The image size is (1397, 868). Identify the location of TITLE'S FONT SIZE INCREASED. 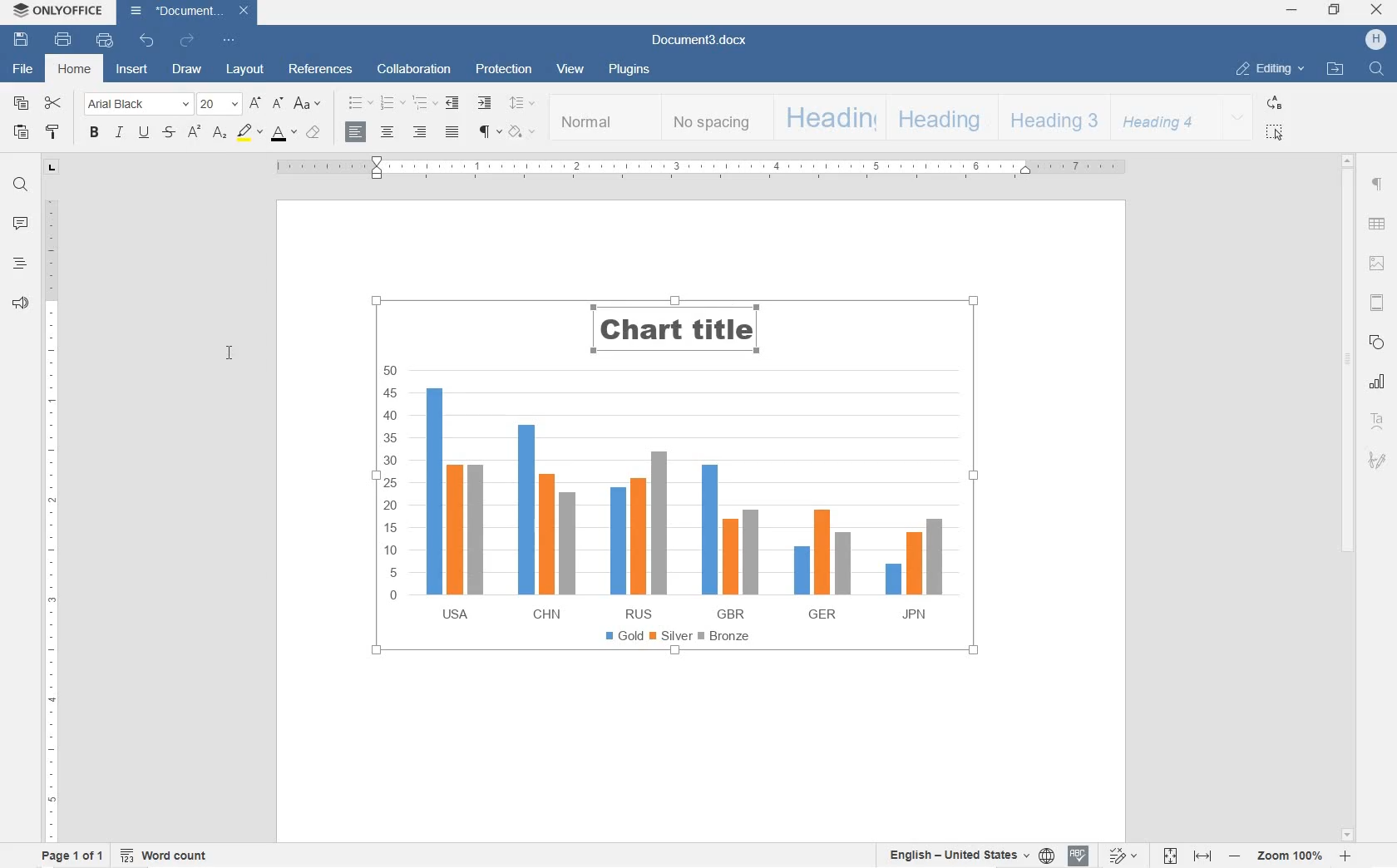
(679, 326).